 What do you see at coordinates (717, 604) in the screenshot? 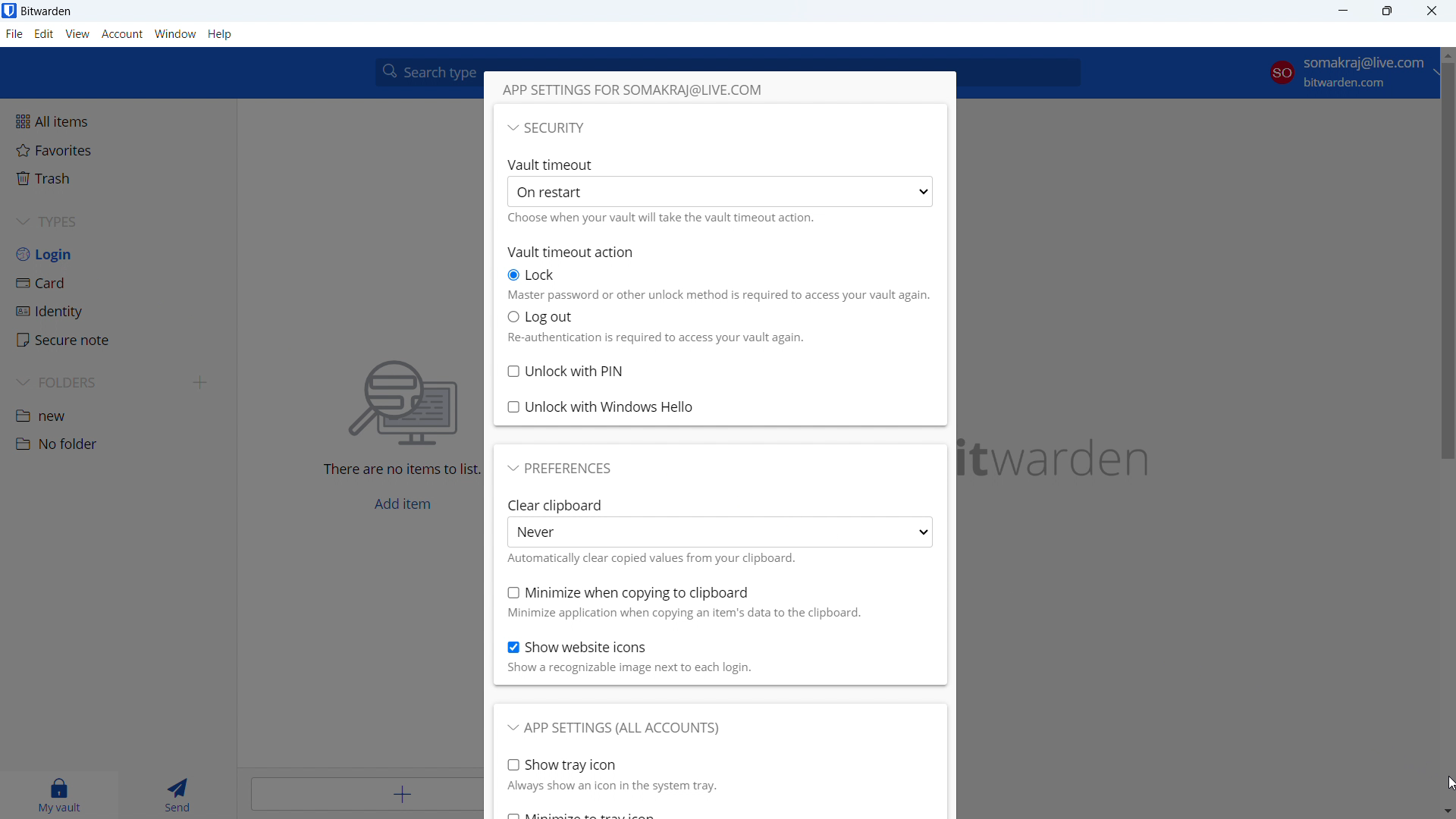
I see `minimize when copying to clipboard` at bounding box center [717, 604].